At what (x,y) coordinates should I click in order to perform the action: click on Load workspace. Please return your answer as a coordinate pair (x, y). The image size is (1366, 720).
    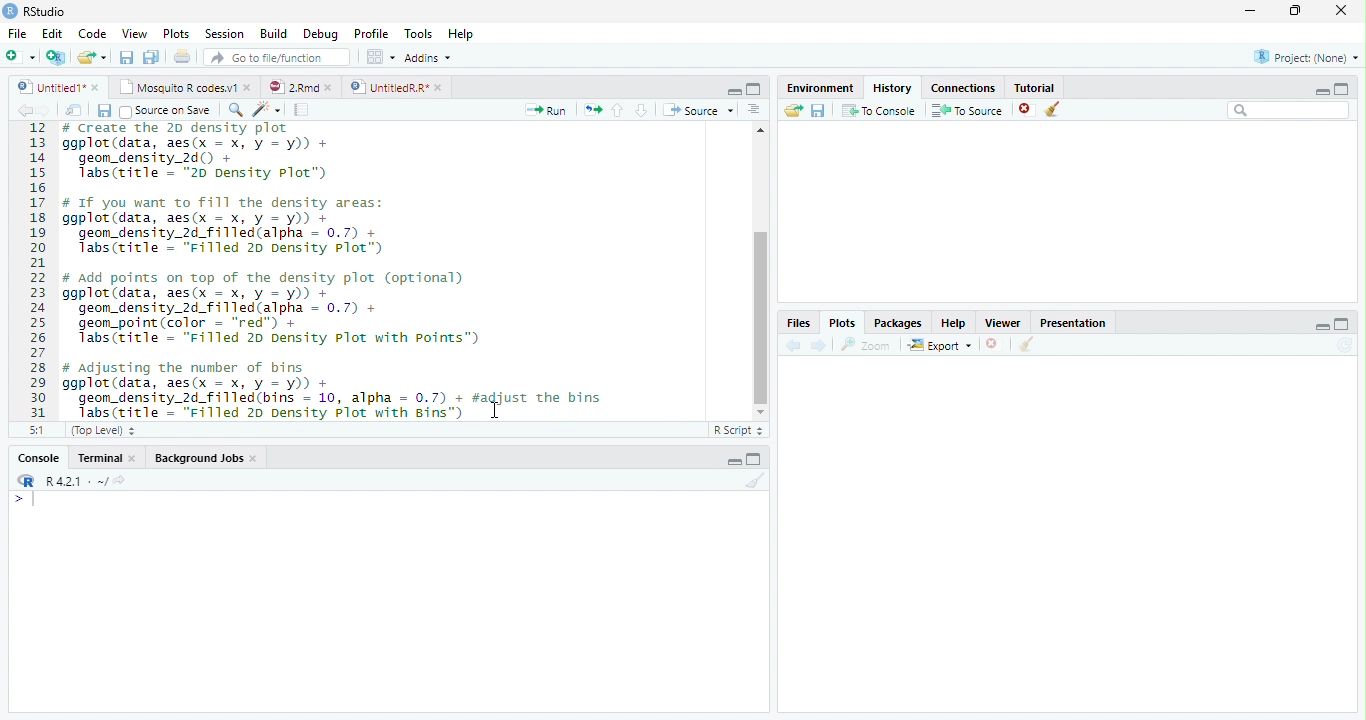
    Looking at the image, I should click on (791, 111).